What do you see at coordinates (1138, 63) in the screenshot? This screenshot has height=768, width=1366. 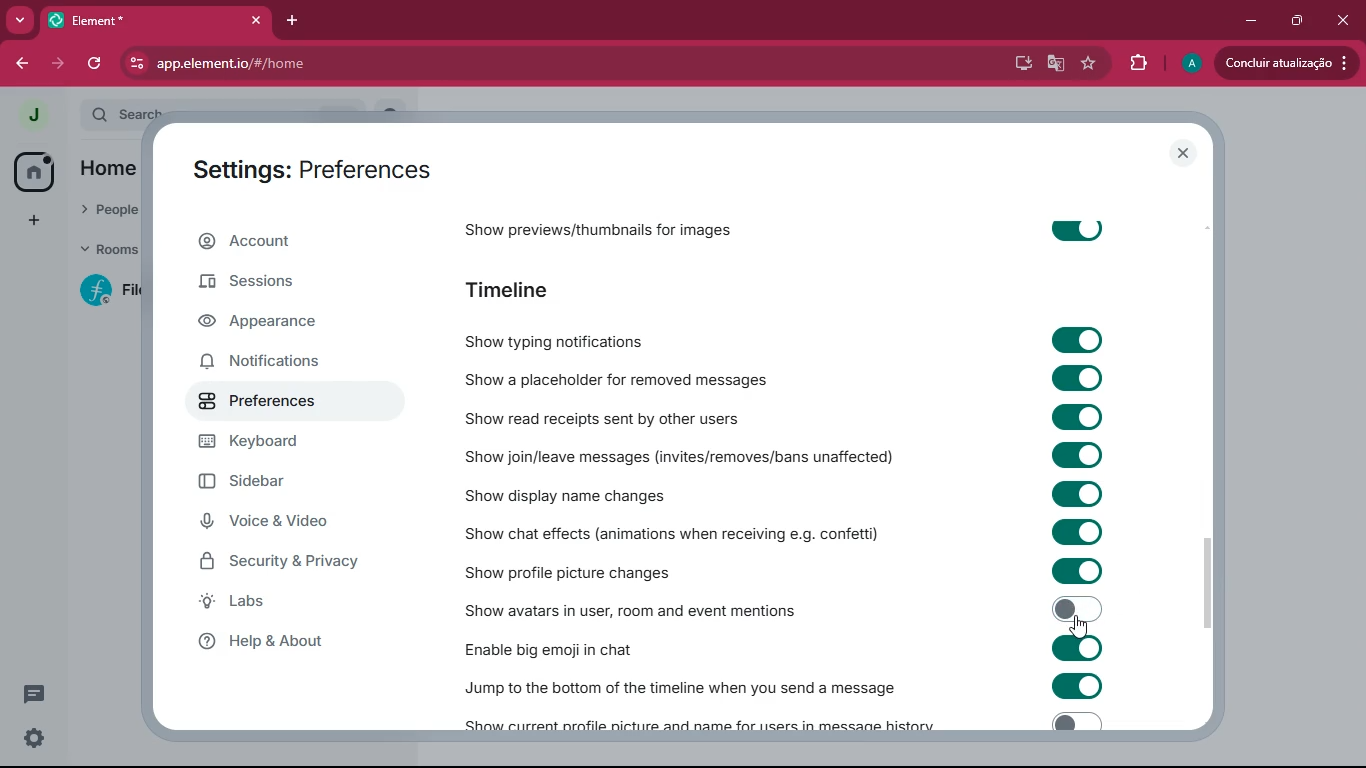 I see `extensions` at bounding box center [1138, 63].